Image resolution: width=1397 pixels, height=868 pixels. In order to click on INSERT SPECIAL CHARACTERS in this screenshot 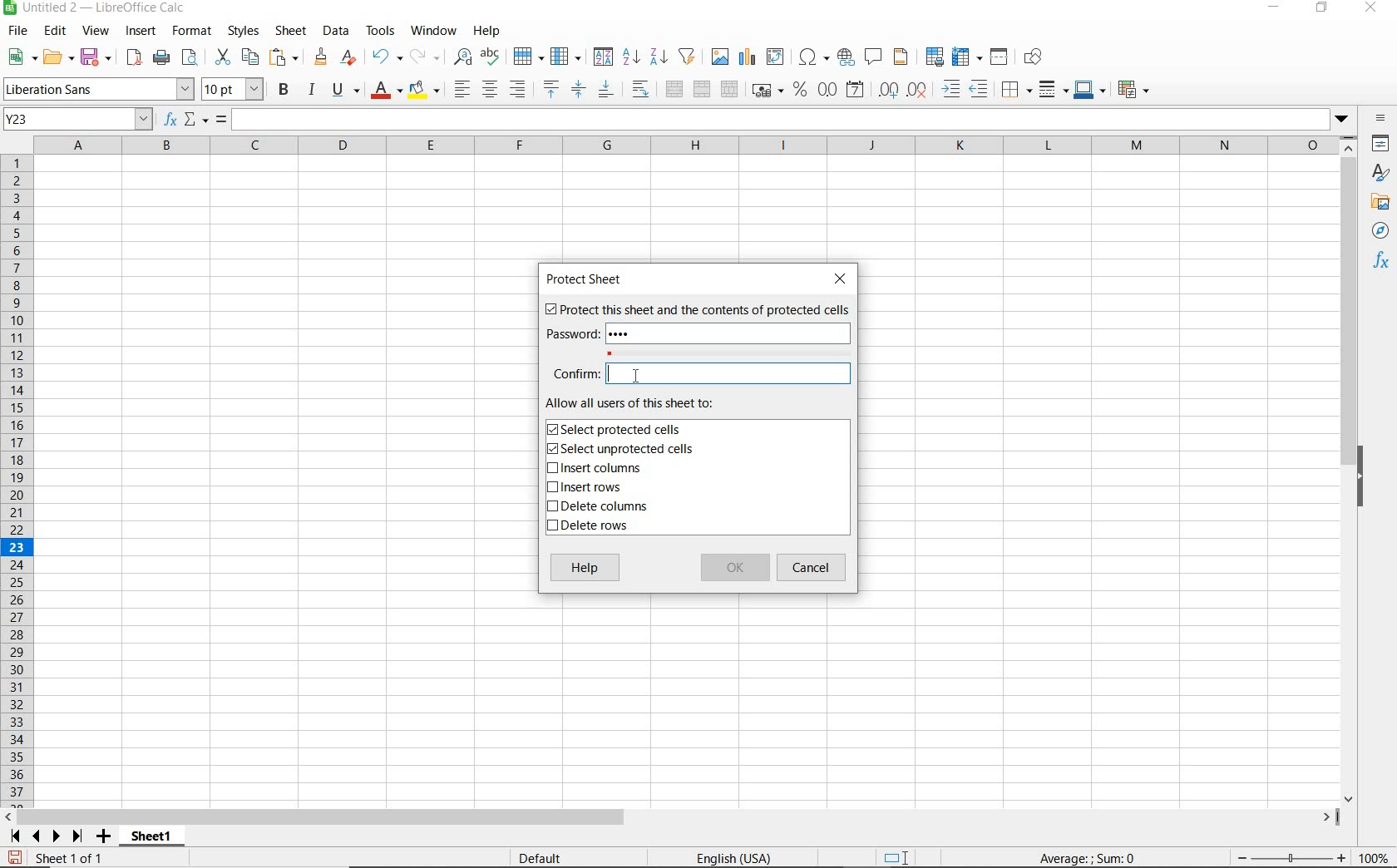, I will do `click(815, 57)`.